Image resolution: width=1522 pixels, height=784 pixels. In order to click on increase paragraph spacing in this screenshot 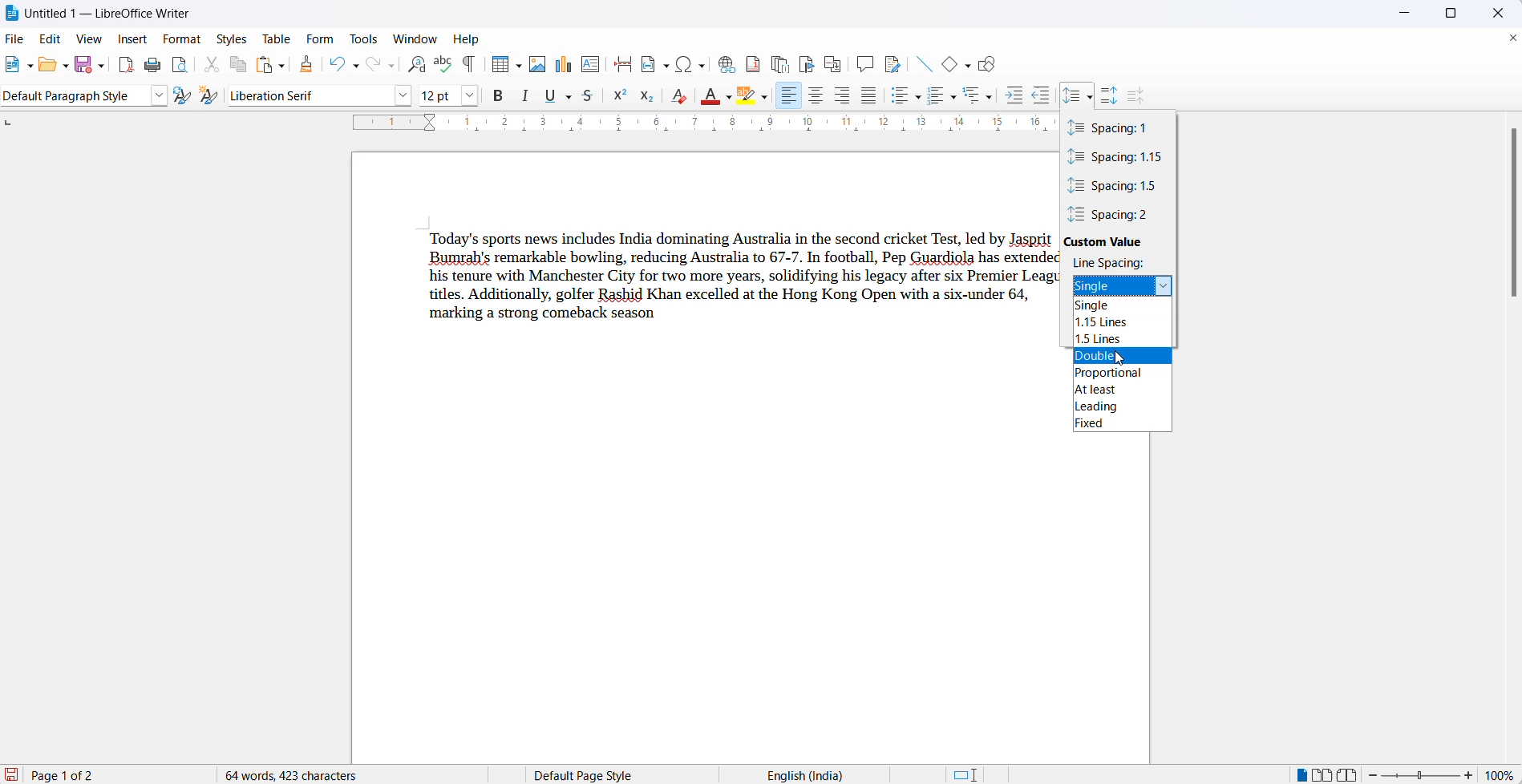, I will do `click(1111, 91)`.